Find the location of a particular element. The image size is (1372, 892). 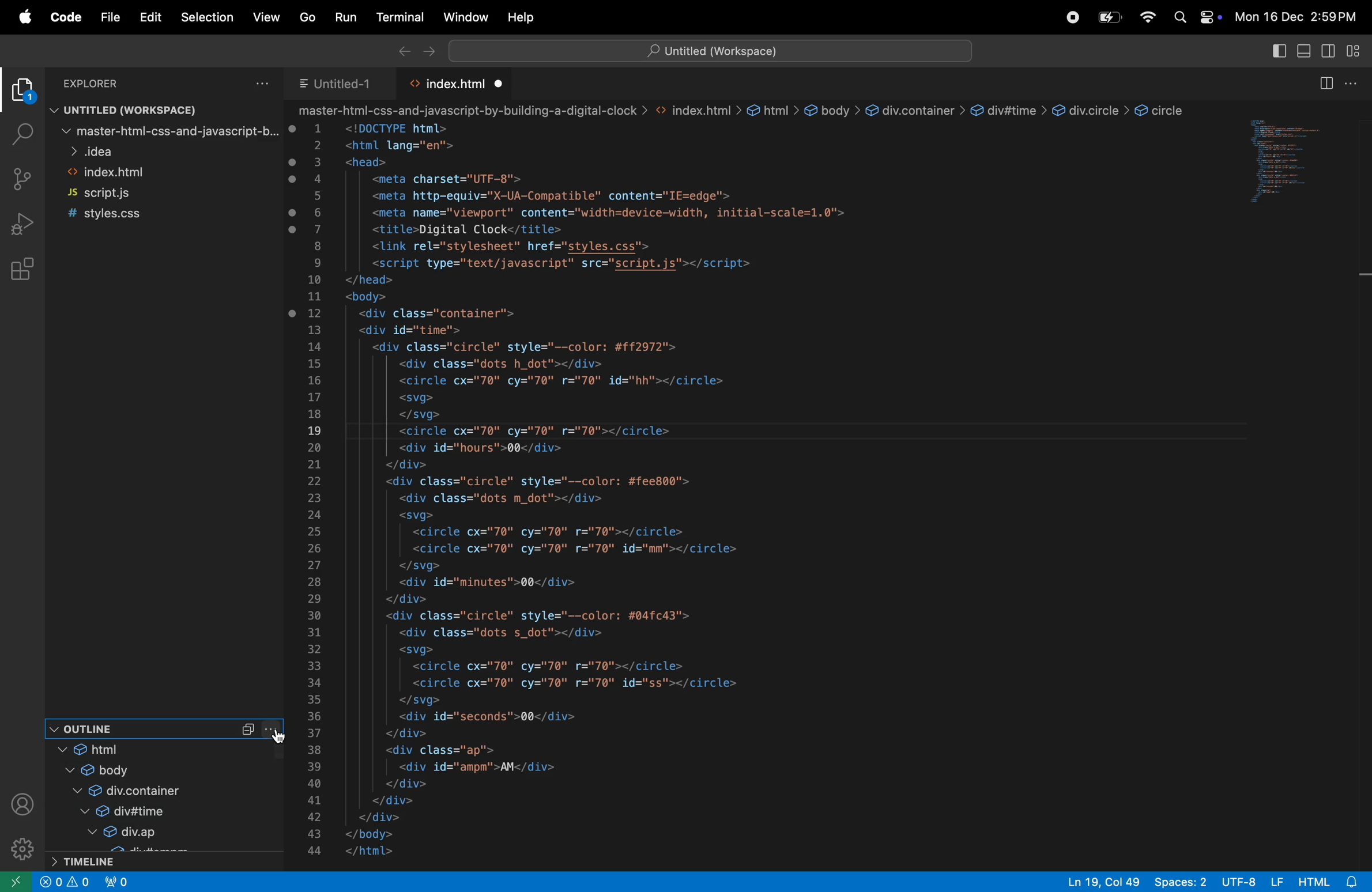

idea is located at coordinates (168, 150).